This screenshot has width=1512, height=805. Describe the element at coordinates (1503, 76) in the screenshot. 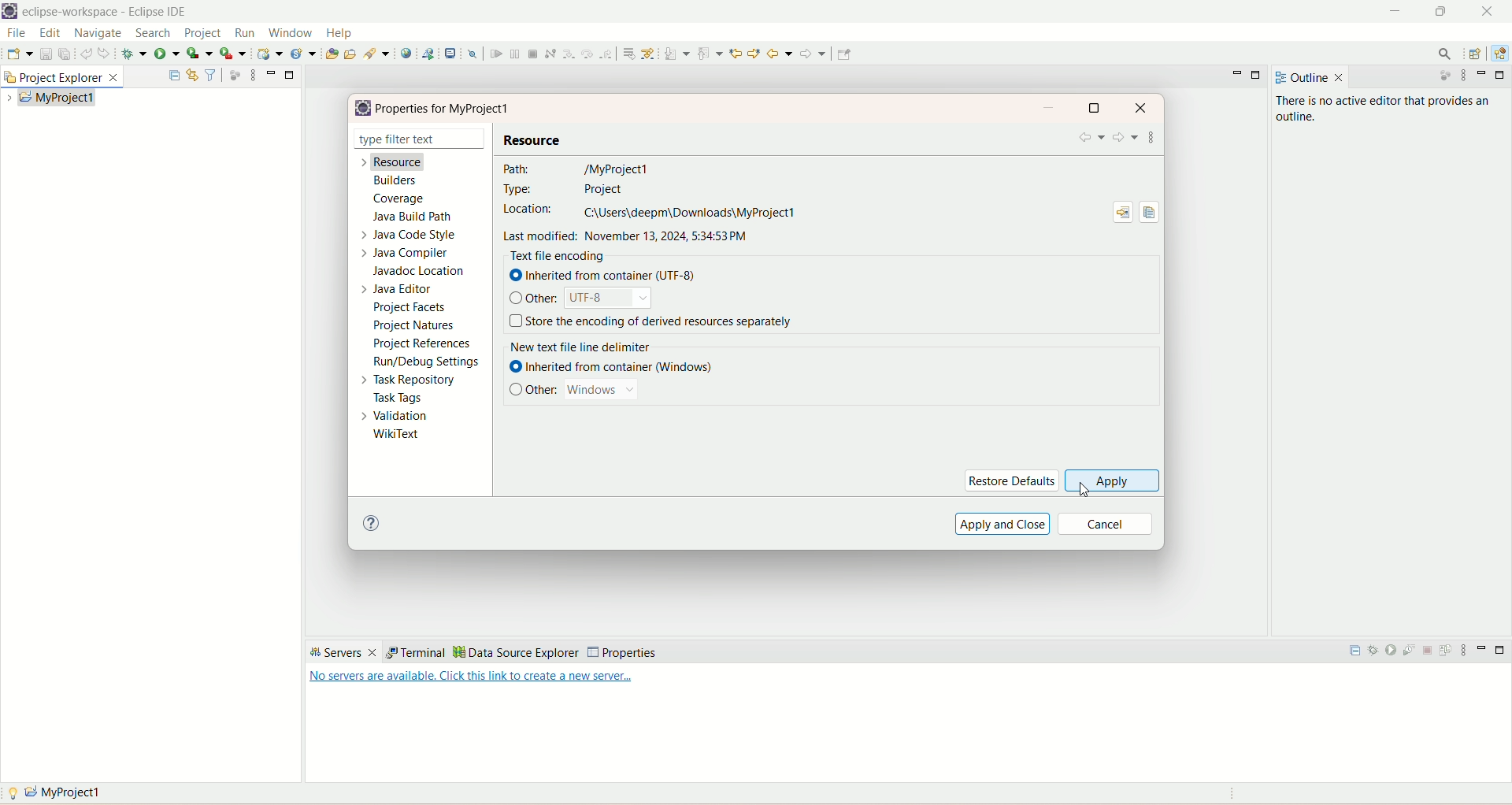

I see `maximize` at that location.